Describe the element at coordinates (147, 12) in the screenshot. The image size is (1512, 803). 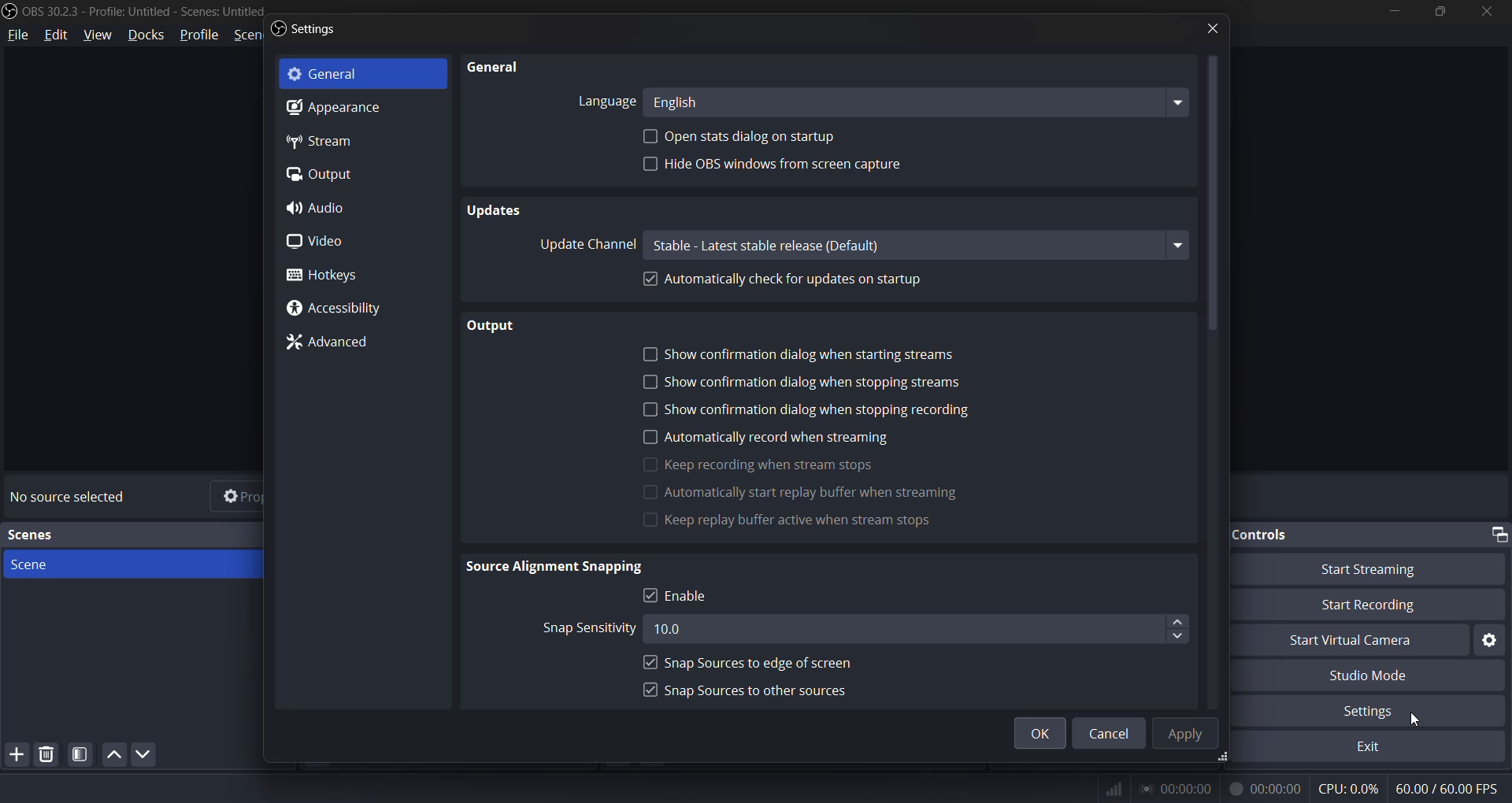
I see `OBS 30.2.3 - Profile: Untitled - Scenes: Untitled` at that location.